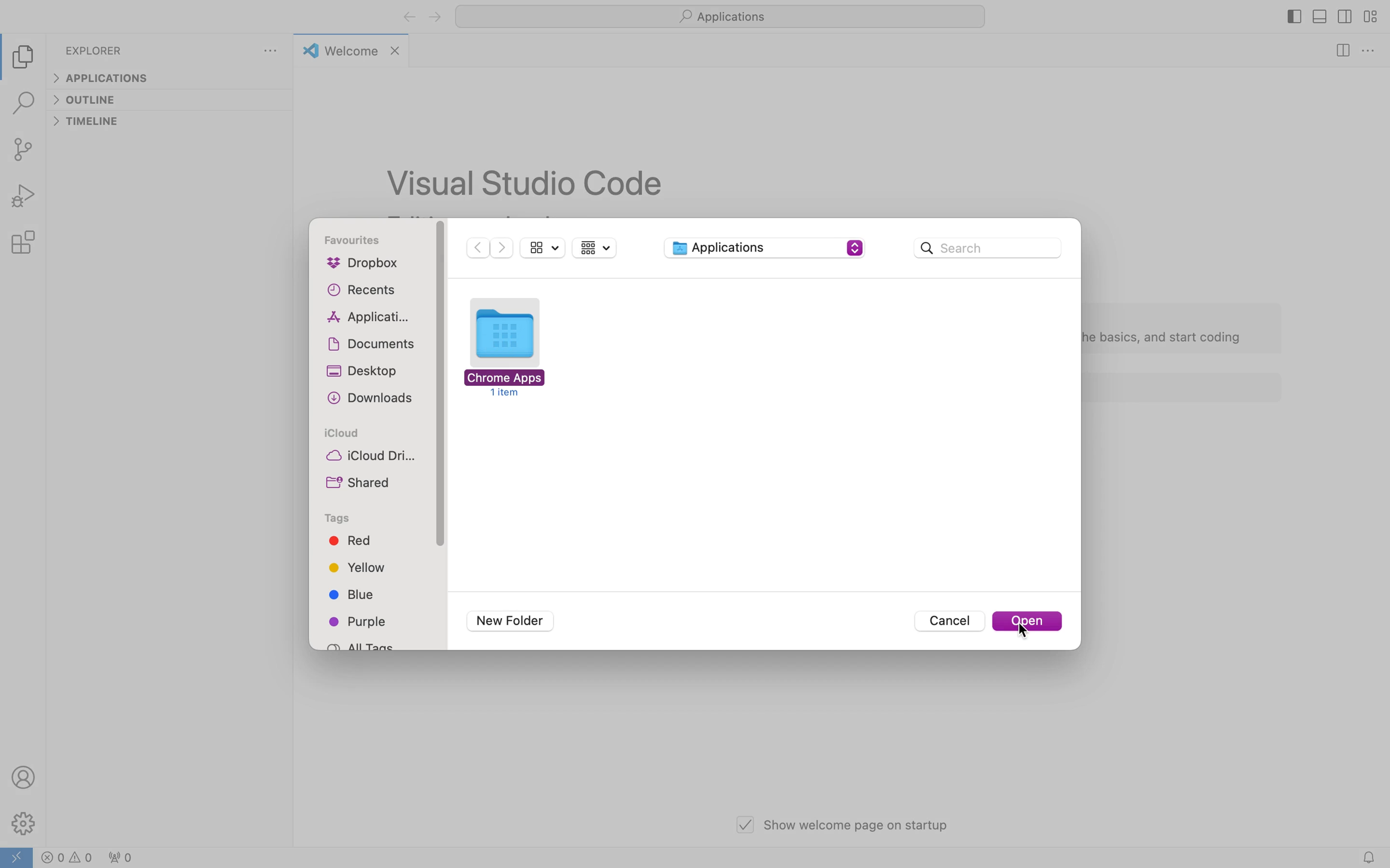 The height and width of the screenshot is (868, 1390). I want to click on yellow tag, so click(357, 566).